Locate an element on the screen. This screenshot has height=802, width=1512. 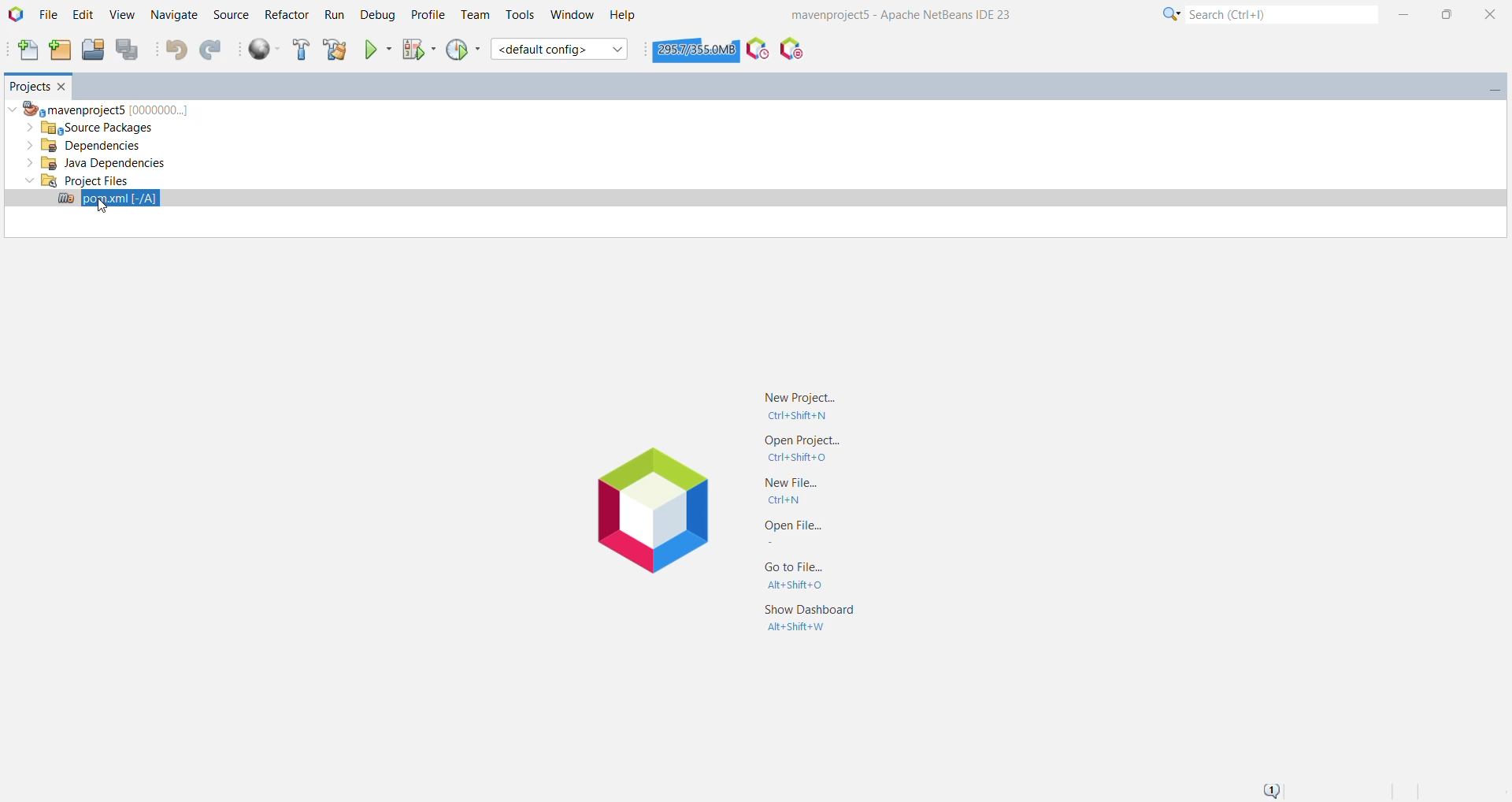
Run All is located at coordinates (265, 50).